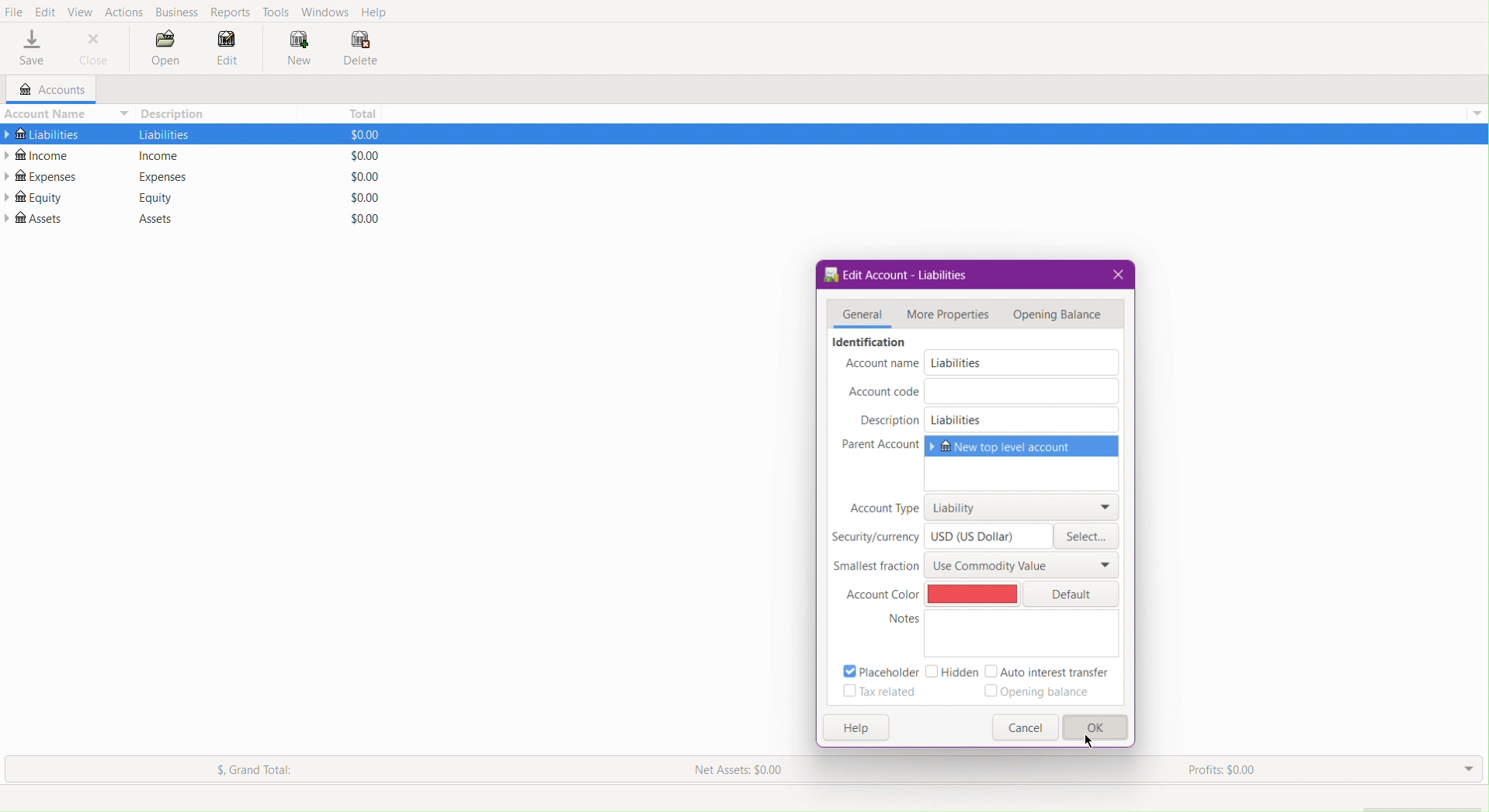  What do you see at coordinates (233, 12) in the screenshot?
I see `Reports` at bounding box center [233, 12].